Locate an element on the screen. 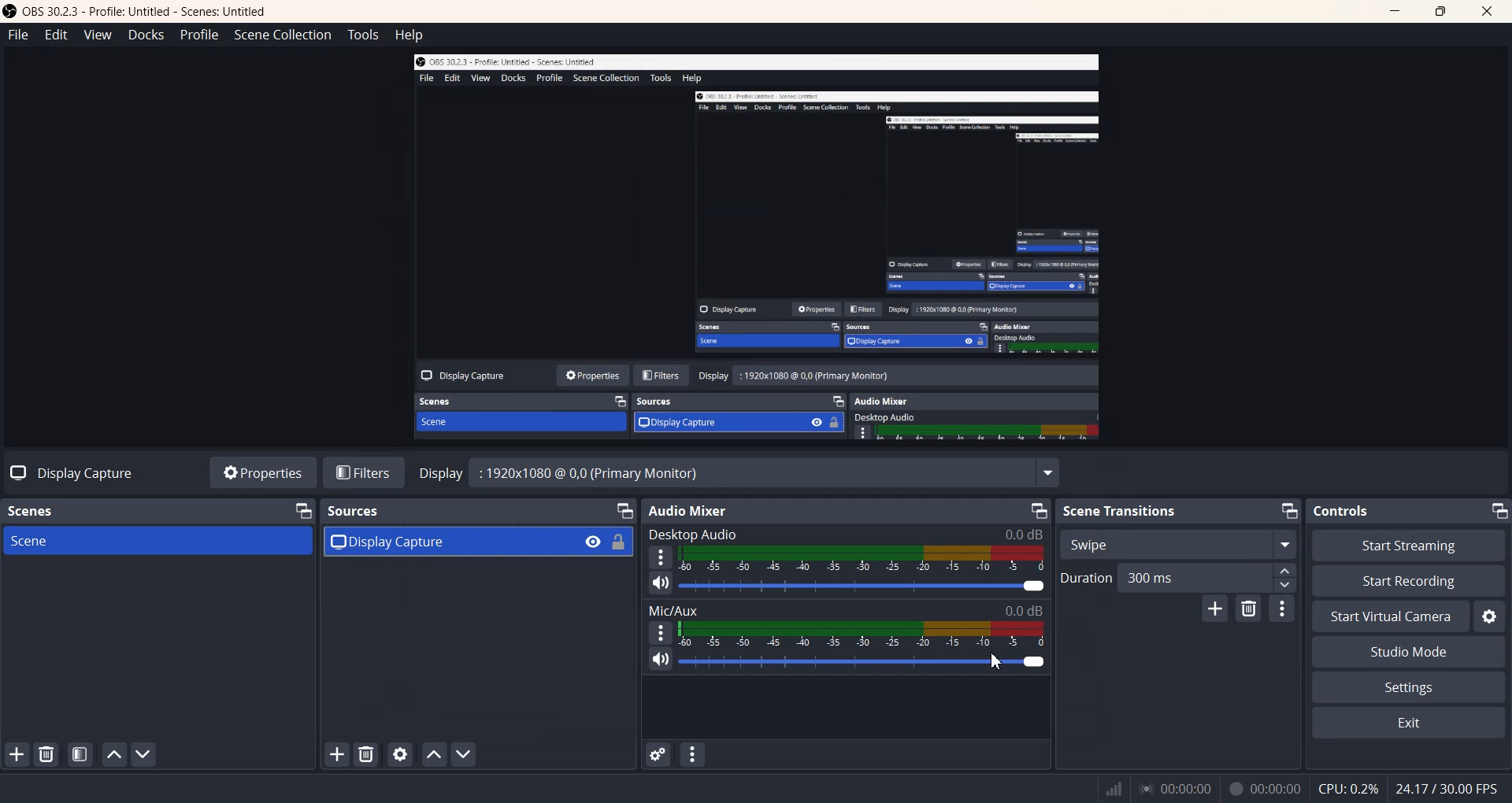 This screenshot has height=803, width=1512. ® OBS 30.2.3 - Profile: Untitled - Scenes: Untitled is located at coordinates (148, 11).